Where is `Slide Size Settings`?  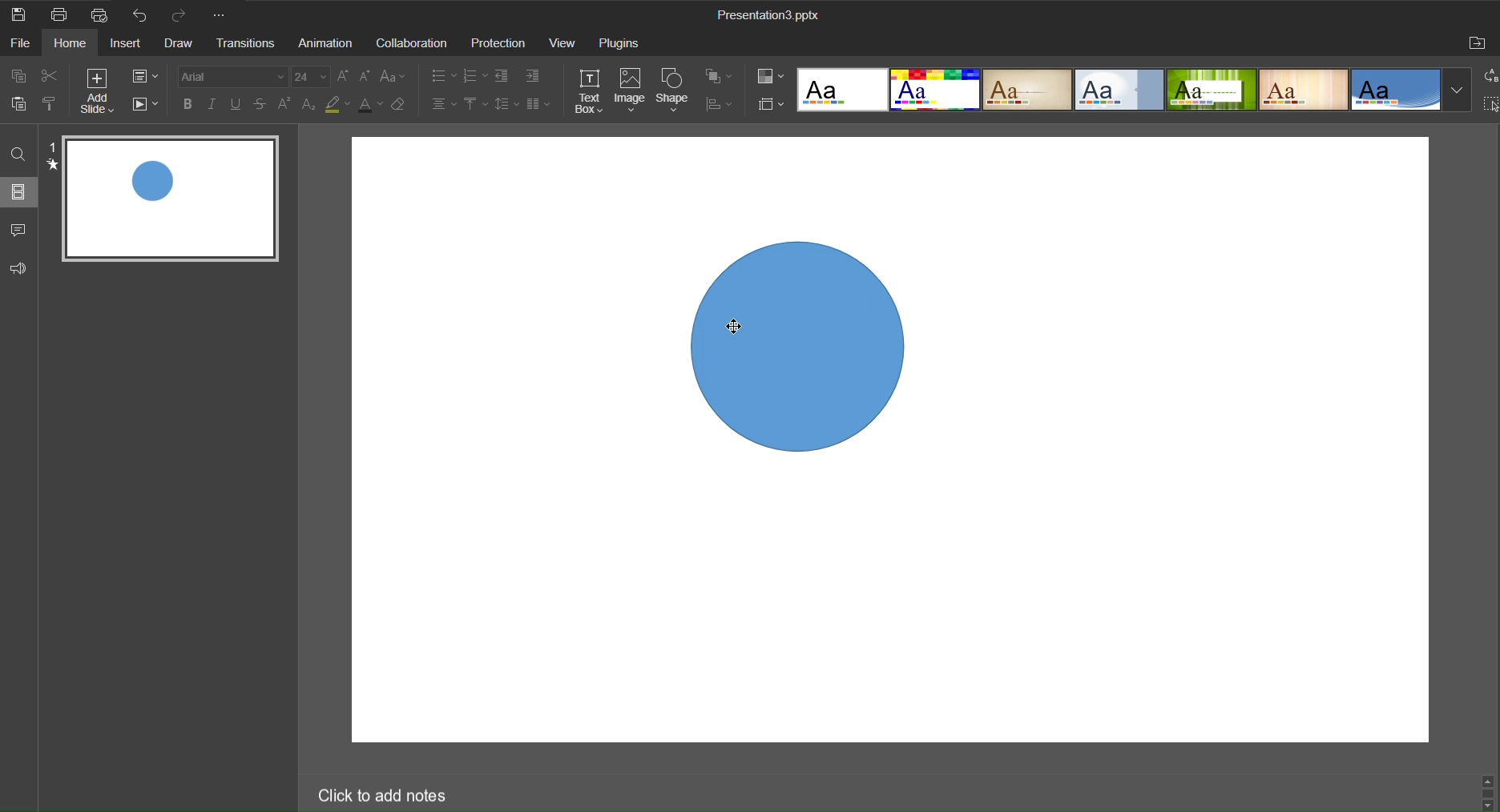 Slide Size Settings is located at coordinates (769, 103).